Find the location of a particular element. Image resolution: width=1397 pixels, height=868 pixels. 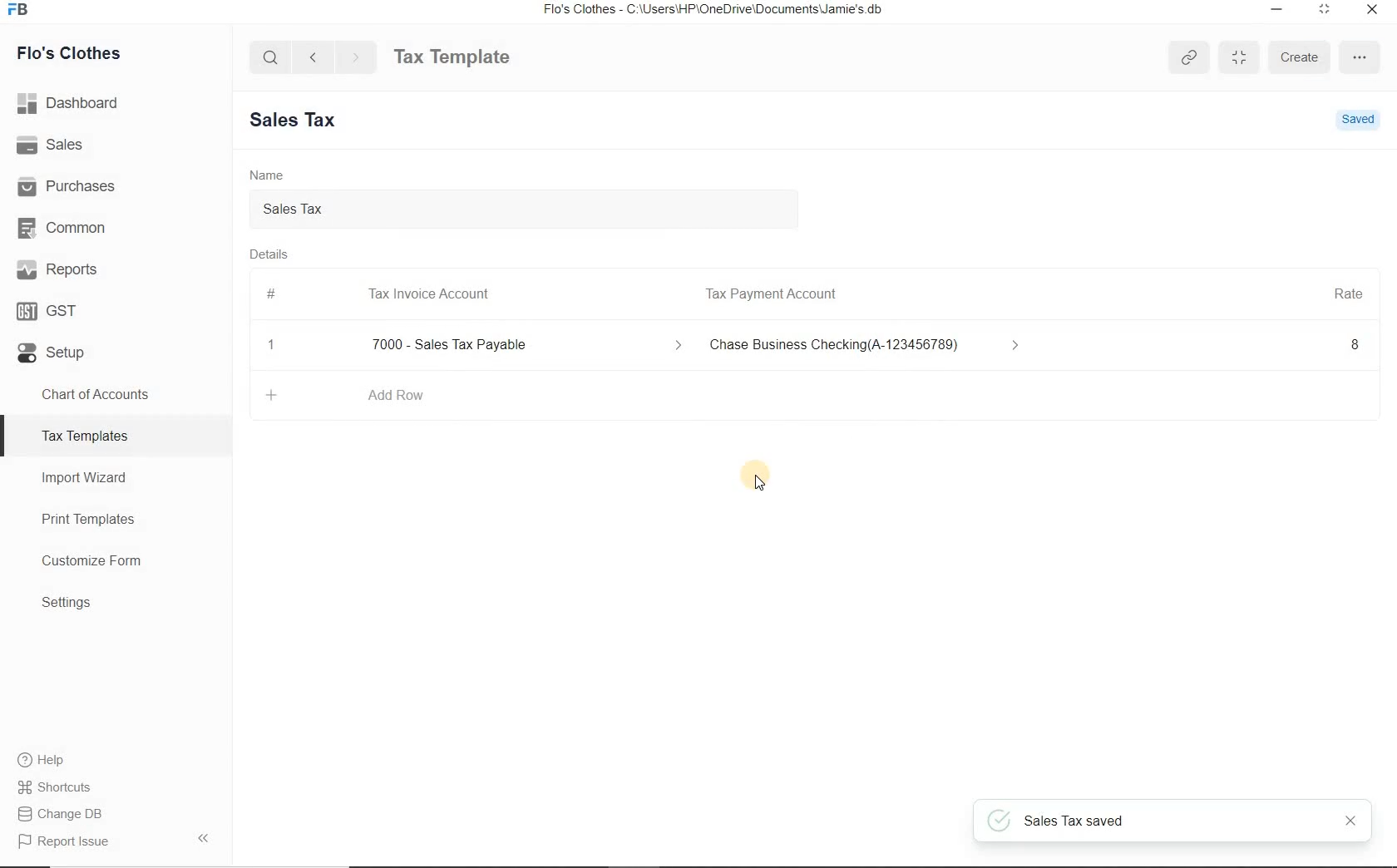

Saved is located at coordinates (1358, 121).